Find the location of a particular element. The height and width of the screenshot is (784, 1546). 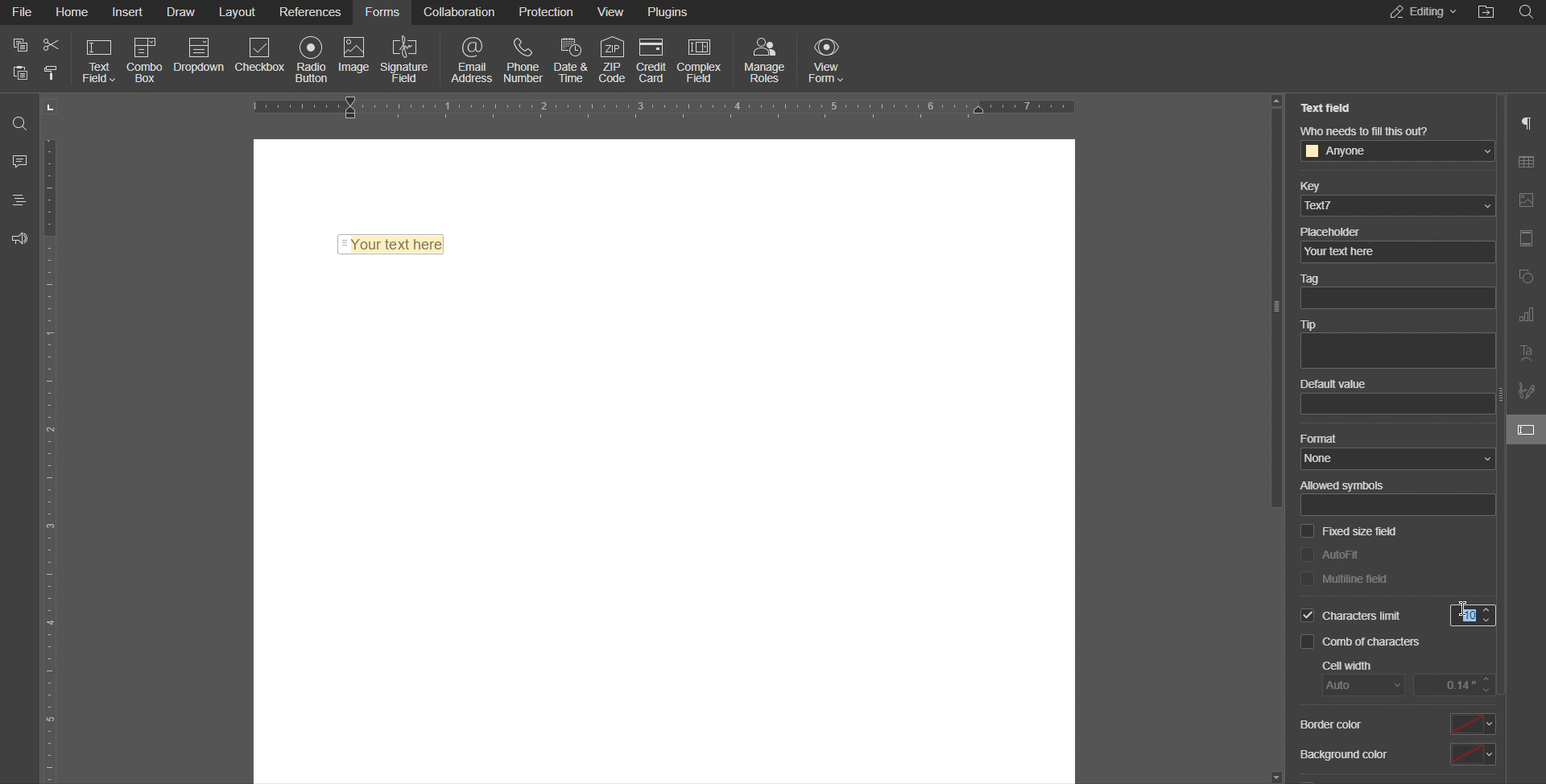

Text Art is located at coordinates (1526, 356).